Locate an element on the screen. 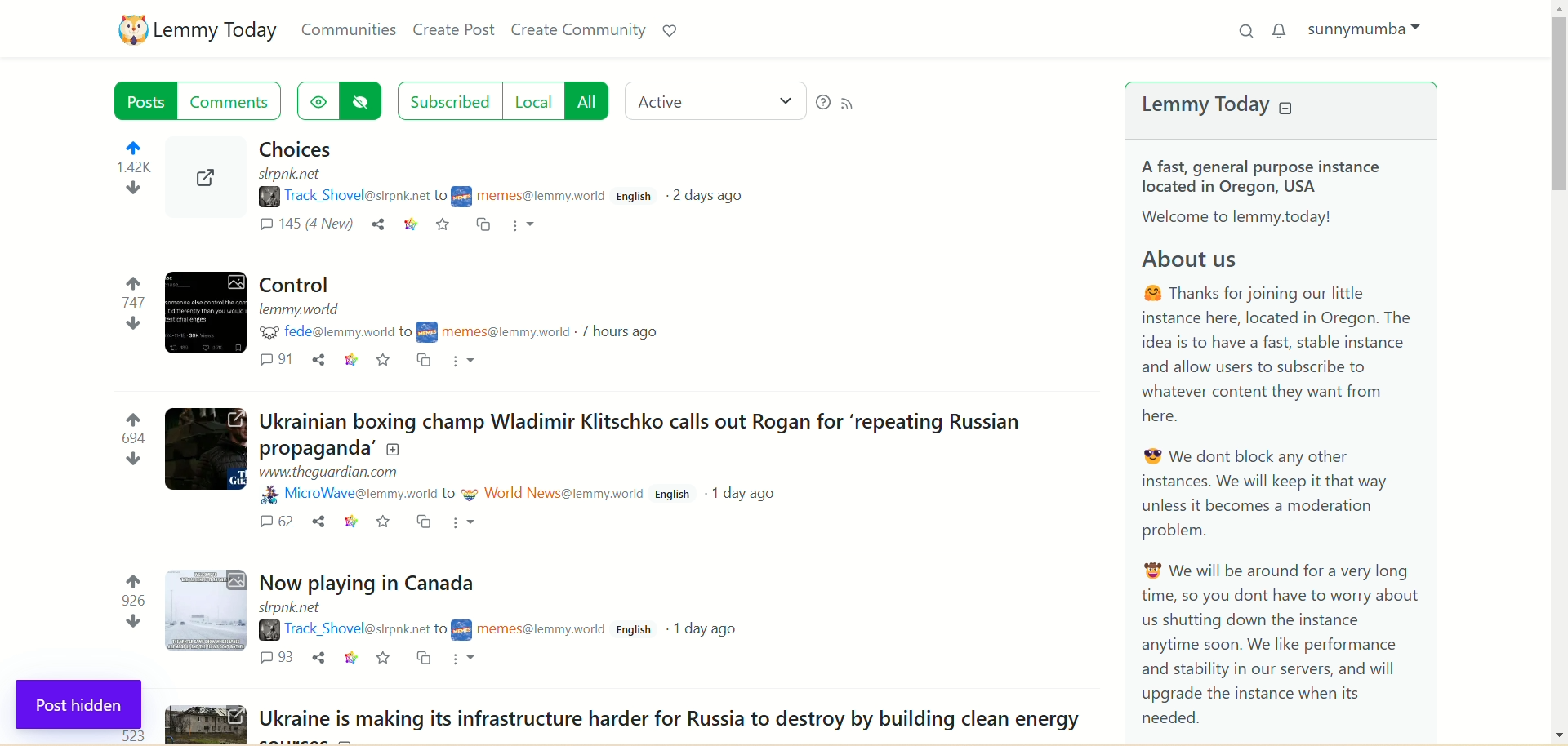  cross post is located at coordinates (424, 360).